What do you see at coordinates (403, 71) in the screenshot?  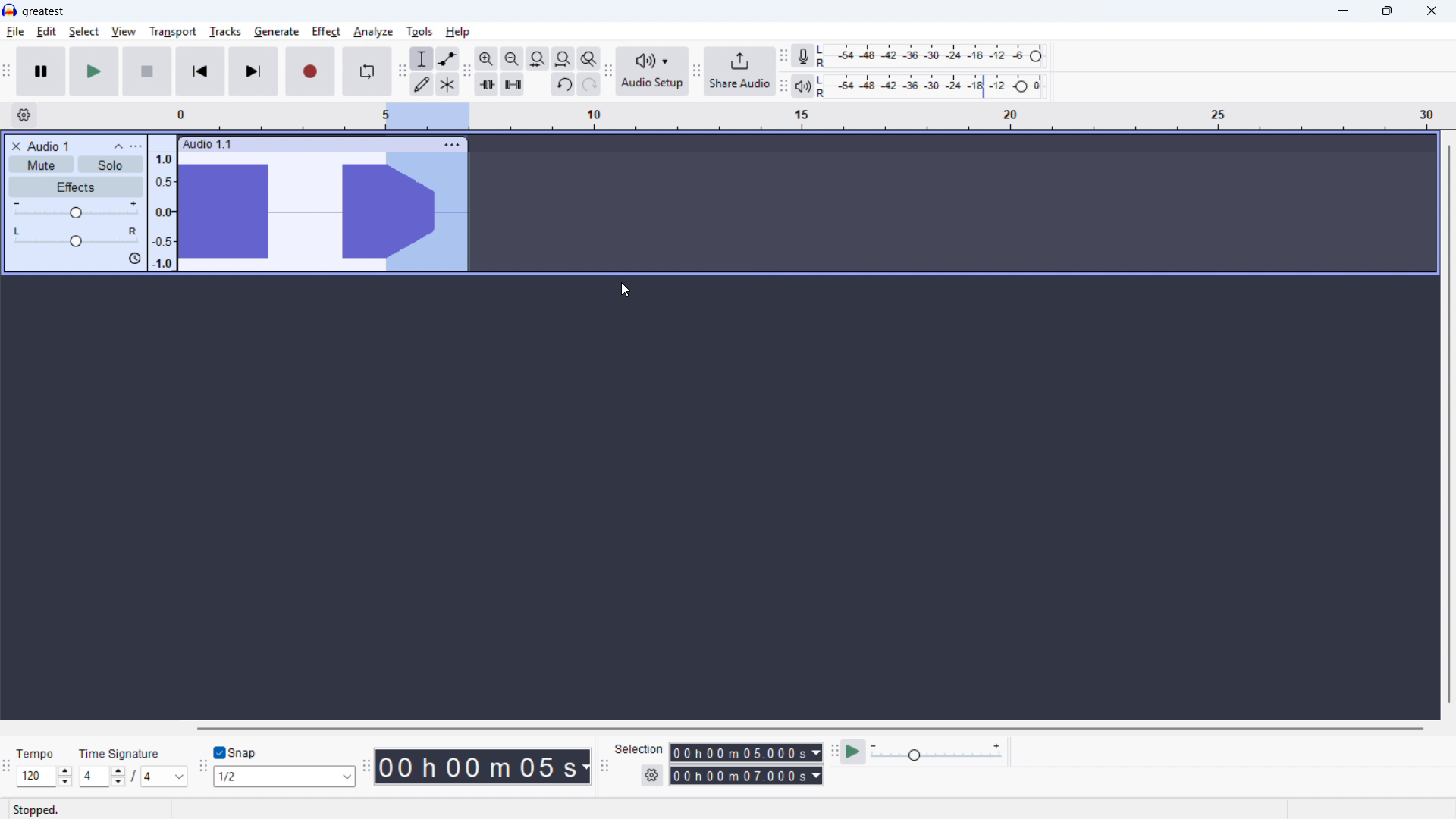 I see `Tools toolbar ` at bounding box center [403, 71].